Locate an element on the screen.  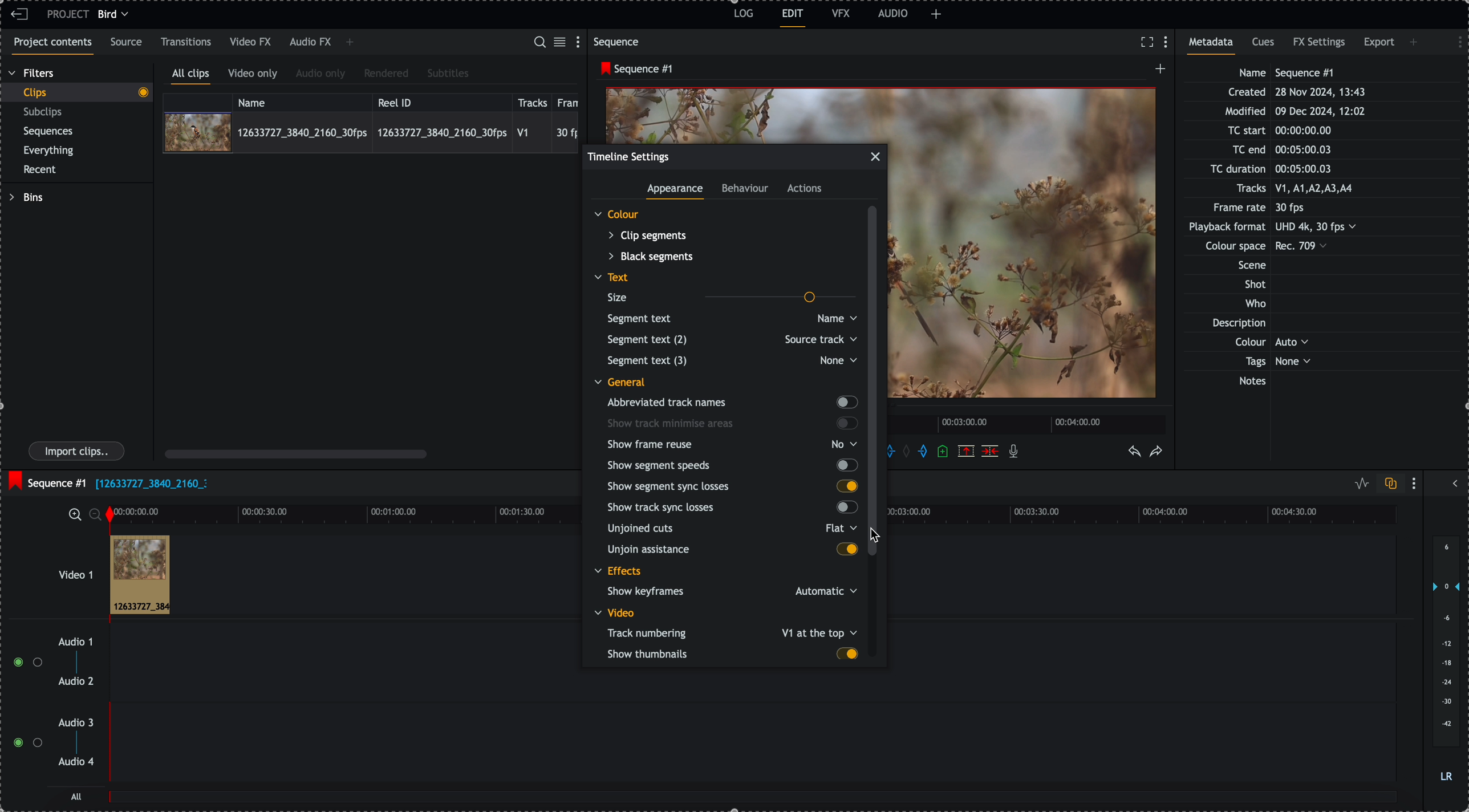
video only is located at coordinates (255, 75).